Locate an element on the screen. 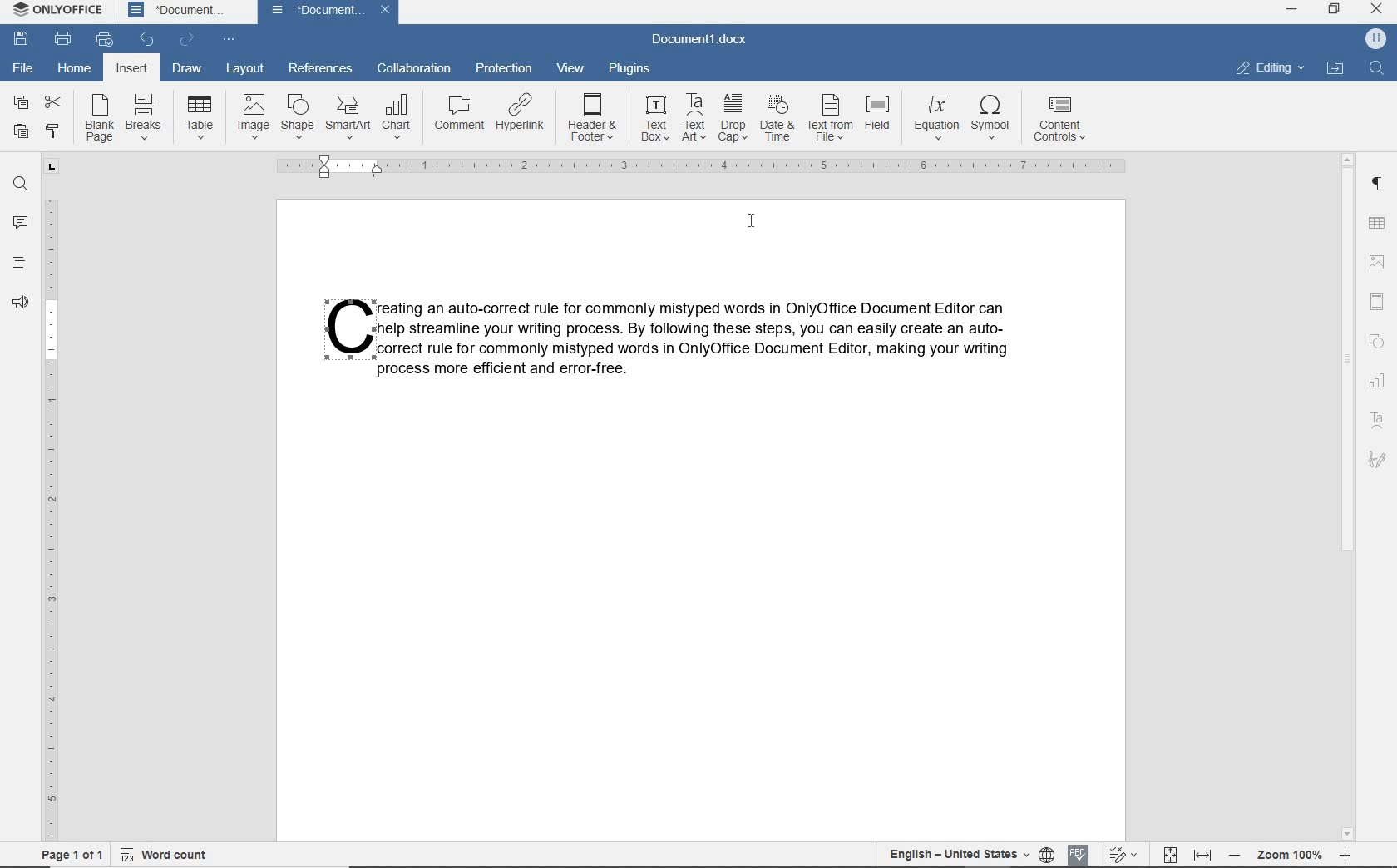 The image size is (1397, 868). restore down is located at coordinates (1335, 11).